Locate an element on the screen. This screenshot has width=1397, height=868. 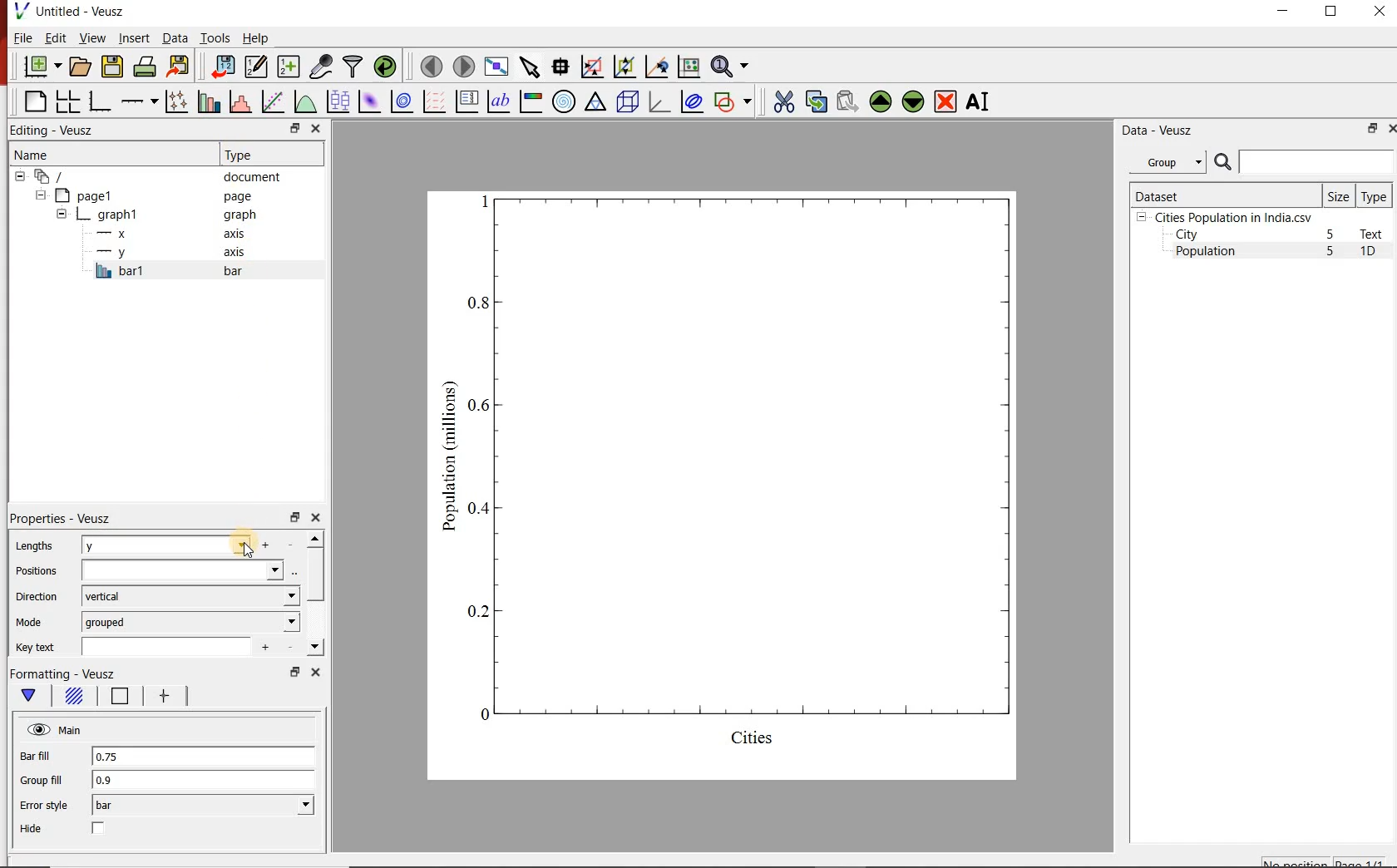
search dataset is located at coordinates (1305, 162).